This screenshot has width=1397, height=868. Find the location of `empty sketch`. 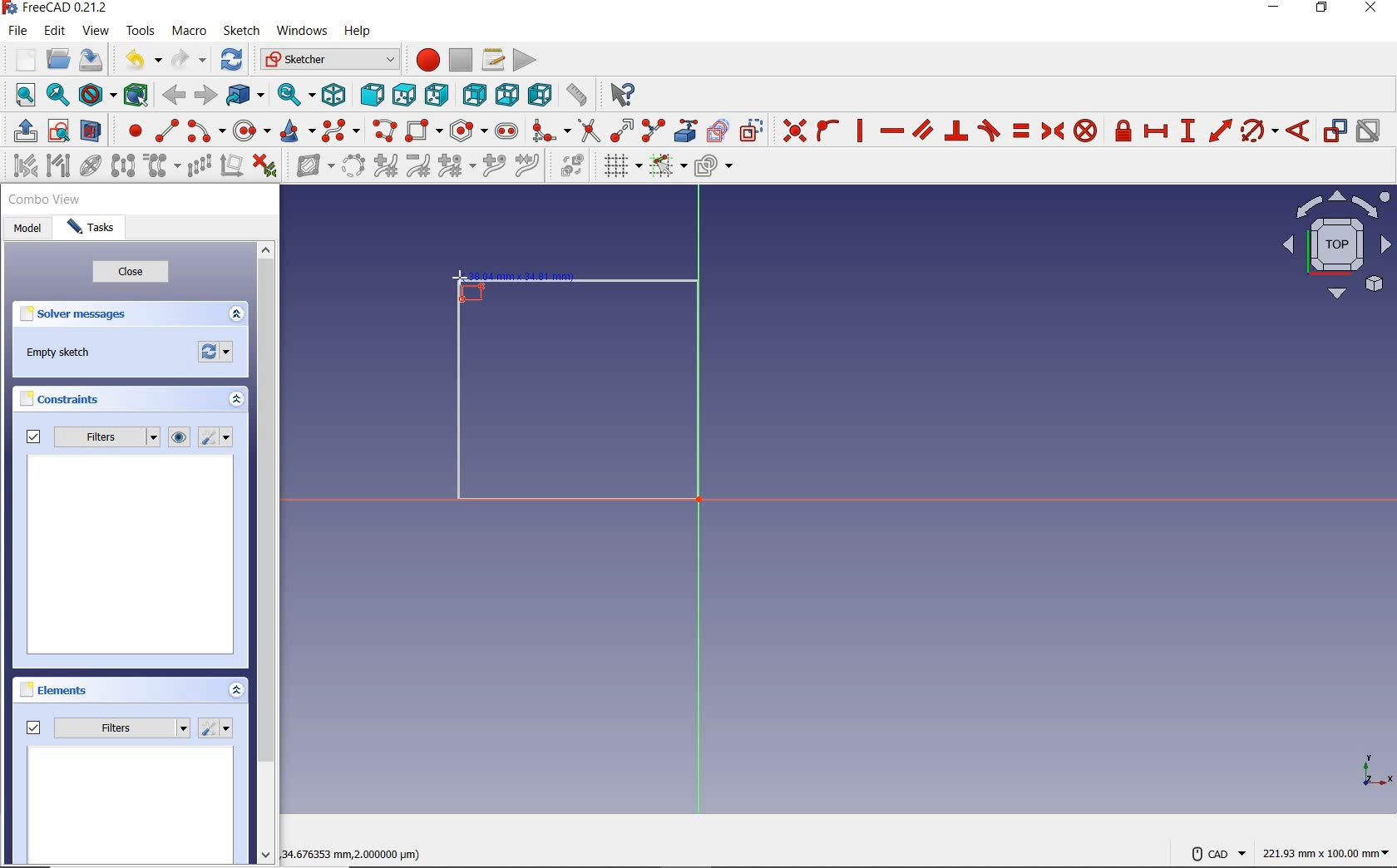

empty sketch is located at coordinates (62, 354).